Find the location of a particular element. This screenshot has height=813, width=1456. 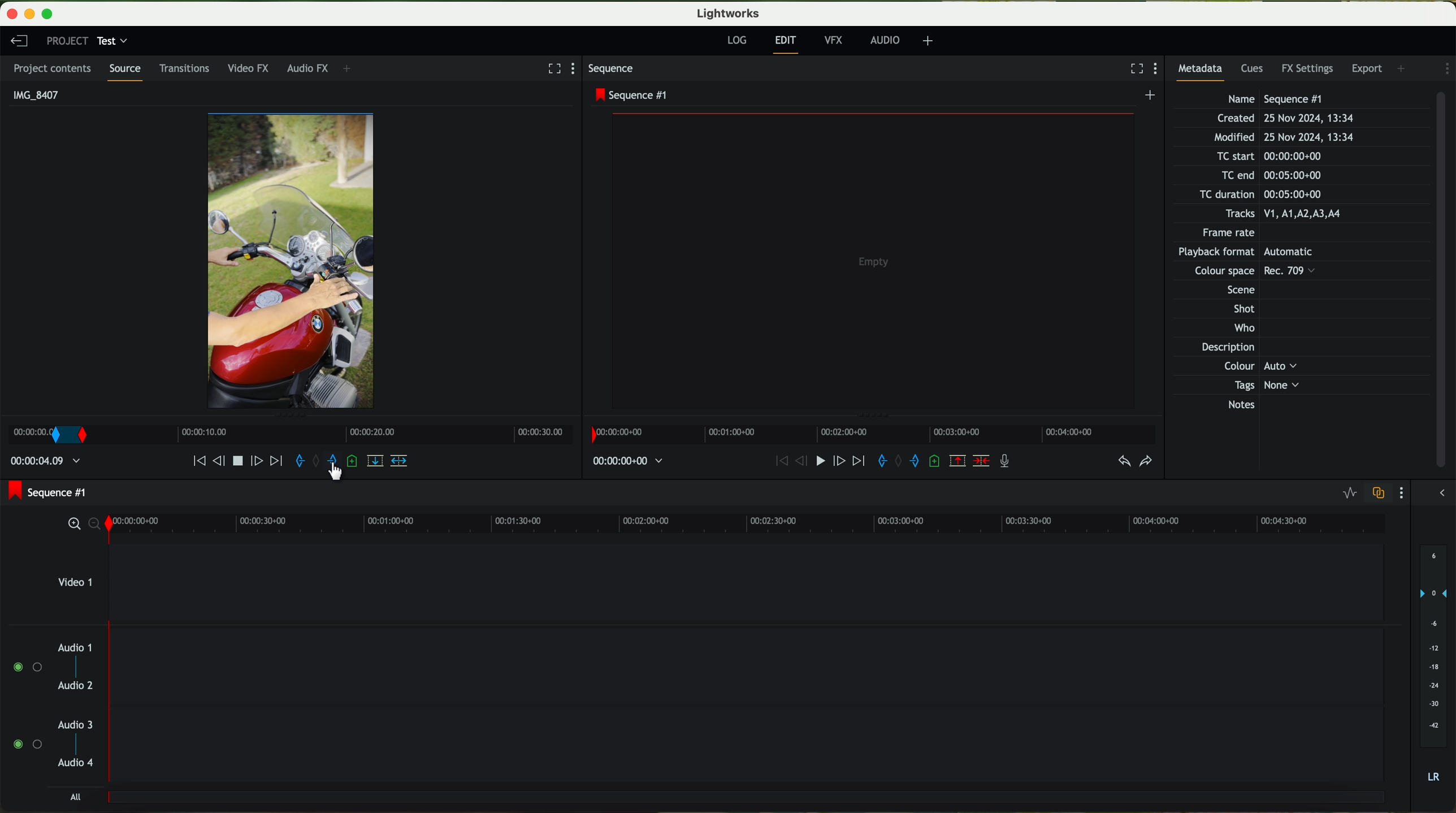

Description is located at coordinates (1241, 348).